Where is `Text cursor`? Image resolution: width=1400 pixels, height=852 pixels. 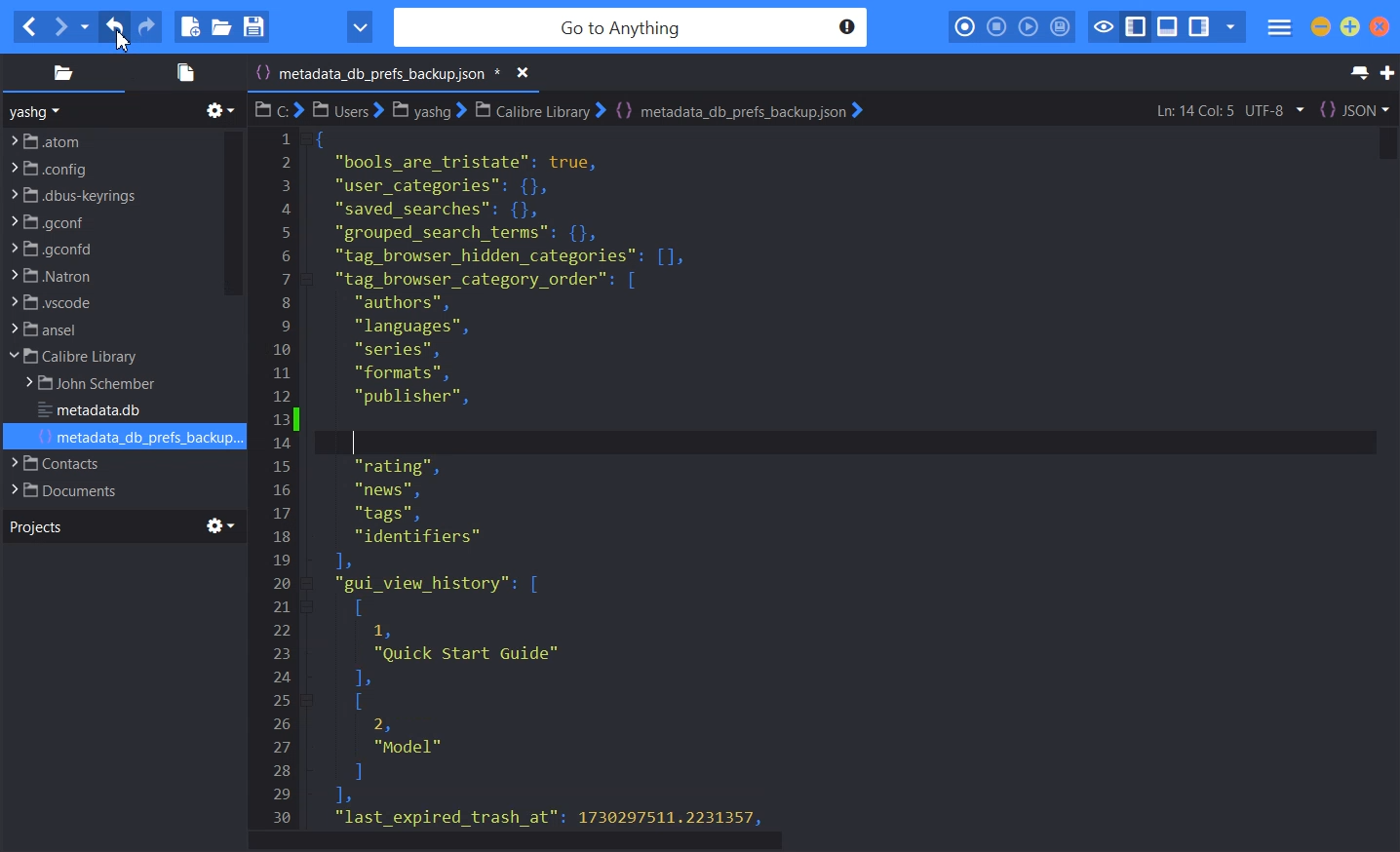
Text cursor is located at coordinates (356, 419).